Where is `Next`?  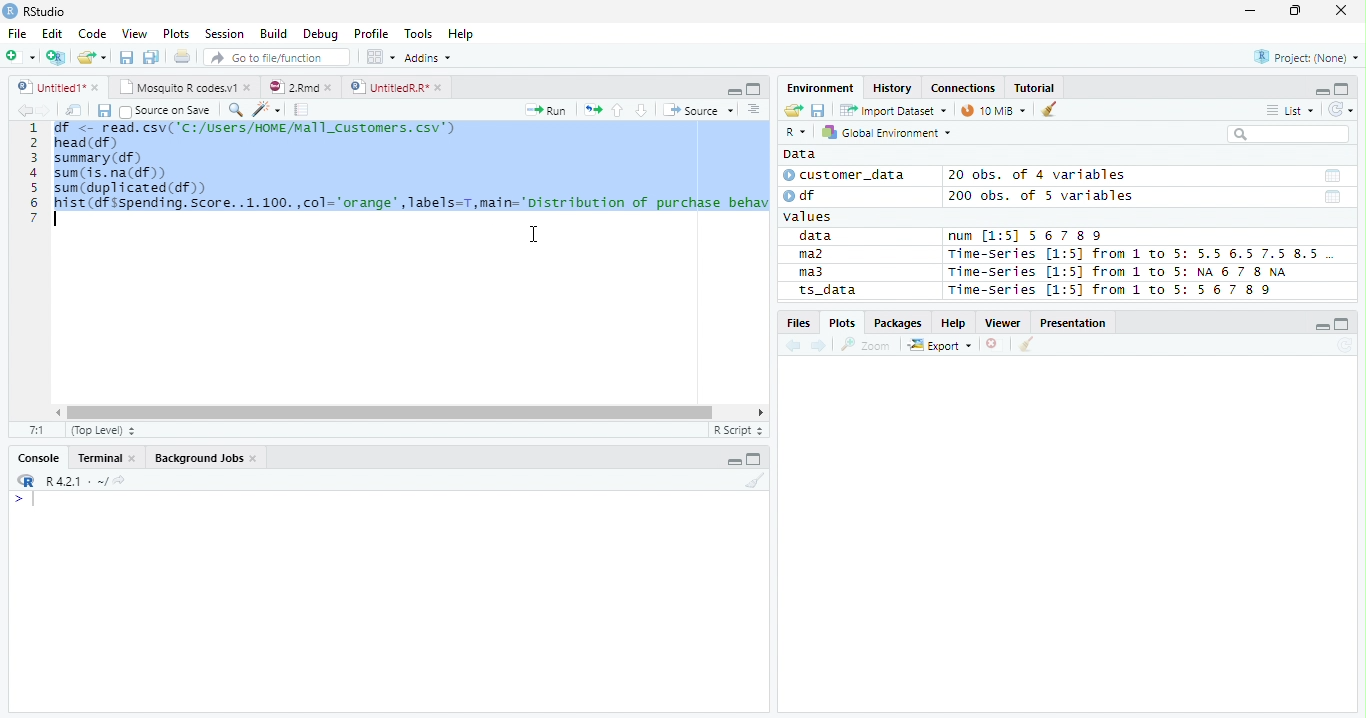
Next is located at coordinates (45, 111).